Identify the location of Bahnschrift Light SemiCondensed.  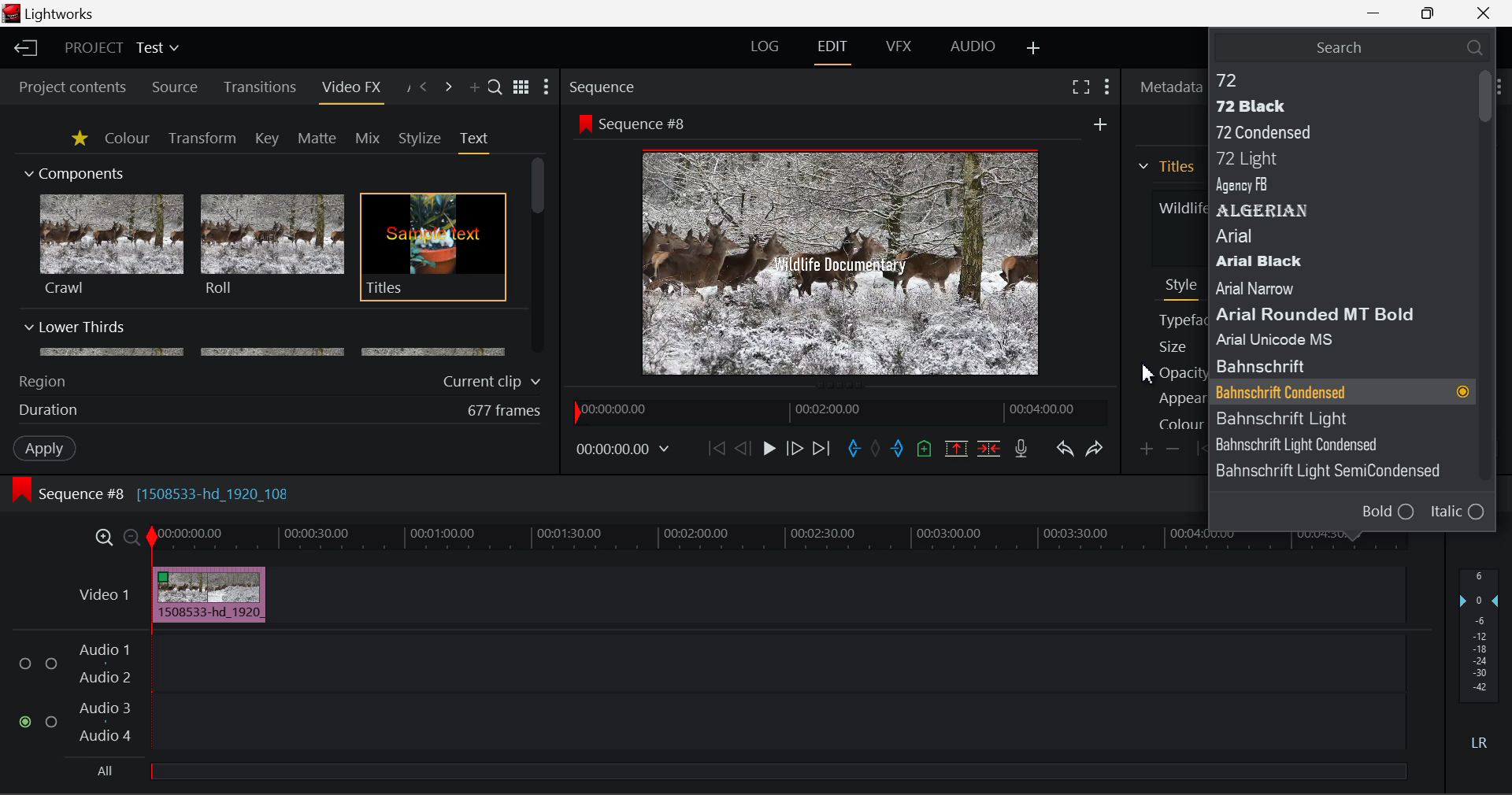
(1336, 471).